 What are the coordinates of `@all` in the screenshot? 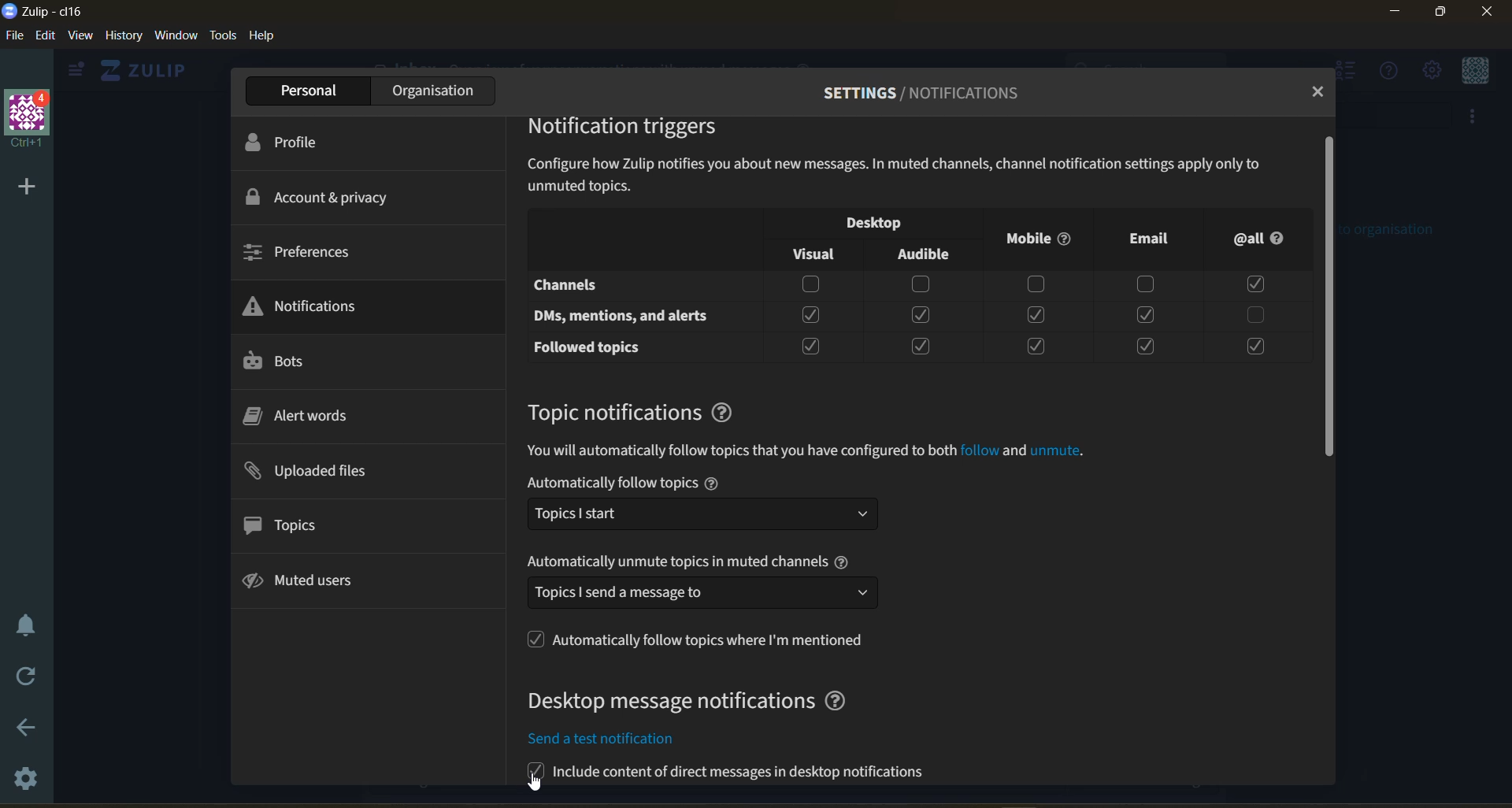 It's located at (1266, 241).